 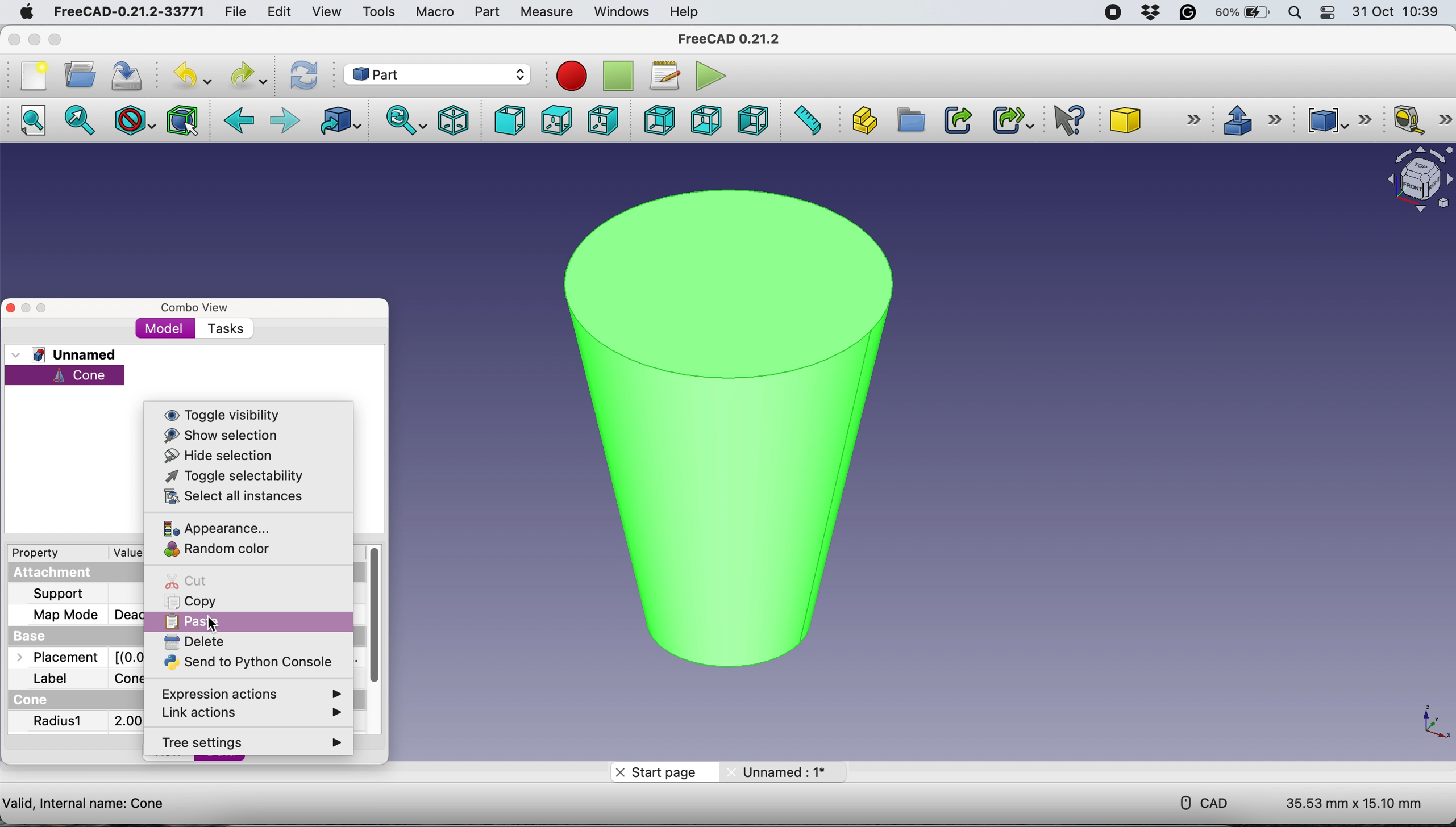 I want to click on cut, so click(x=186, y=579).